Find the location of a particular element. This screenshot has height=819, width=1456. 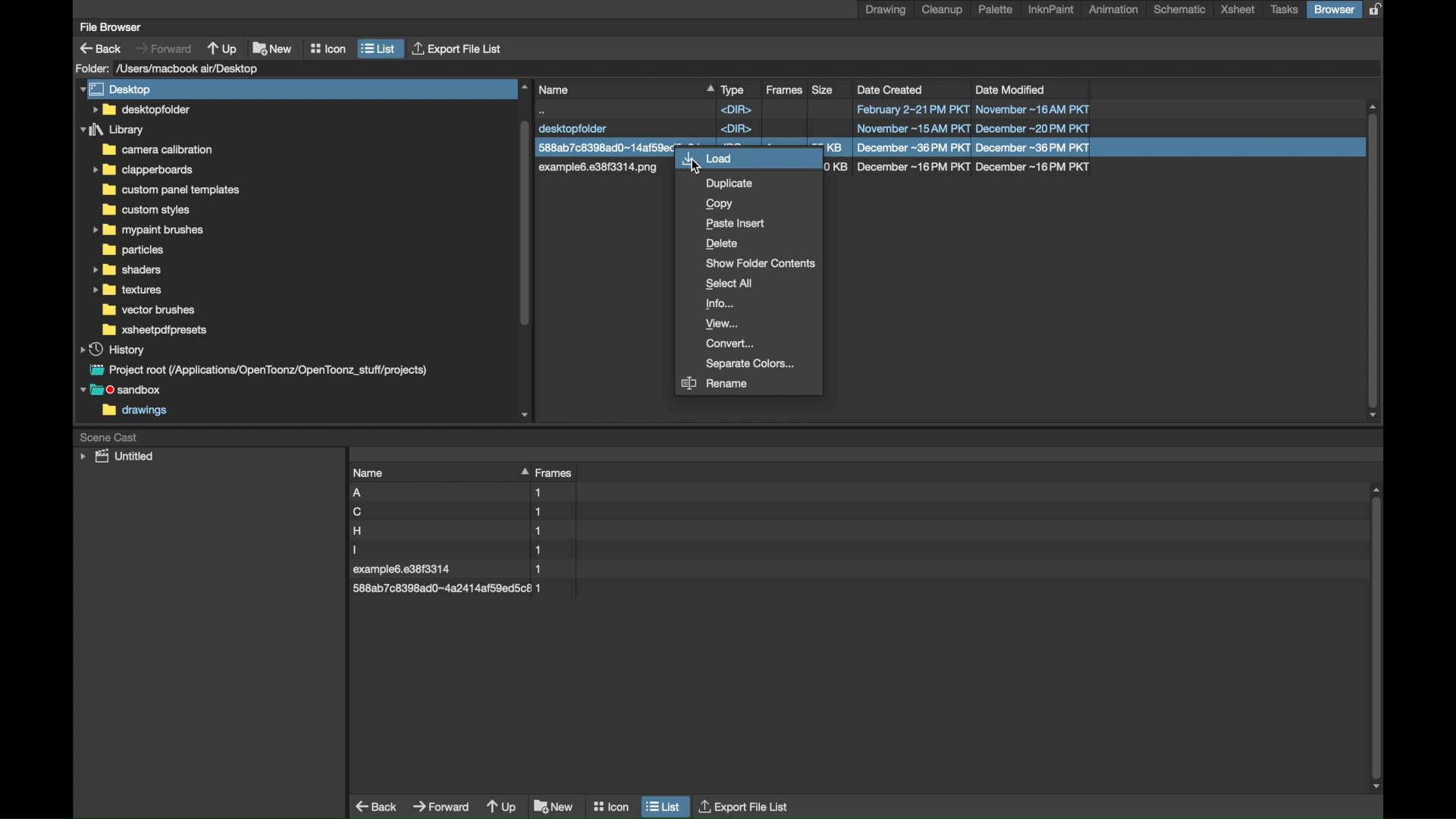

drawing is located at coordinates (886, 10).